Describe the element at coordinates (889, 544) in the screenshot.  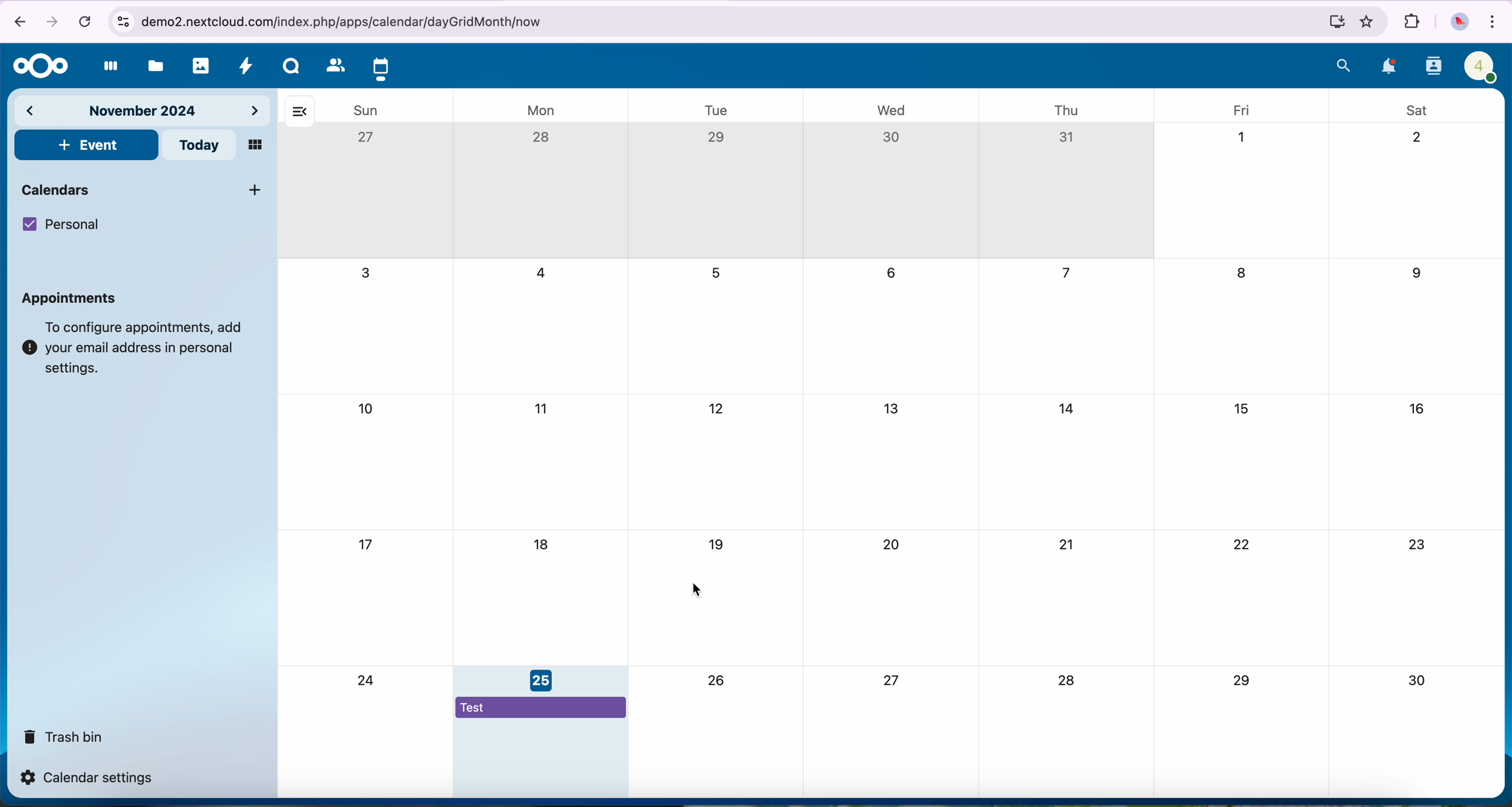
I see `20` at that location.